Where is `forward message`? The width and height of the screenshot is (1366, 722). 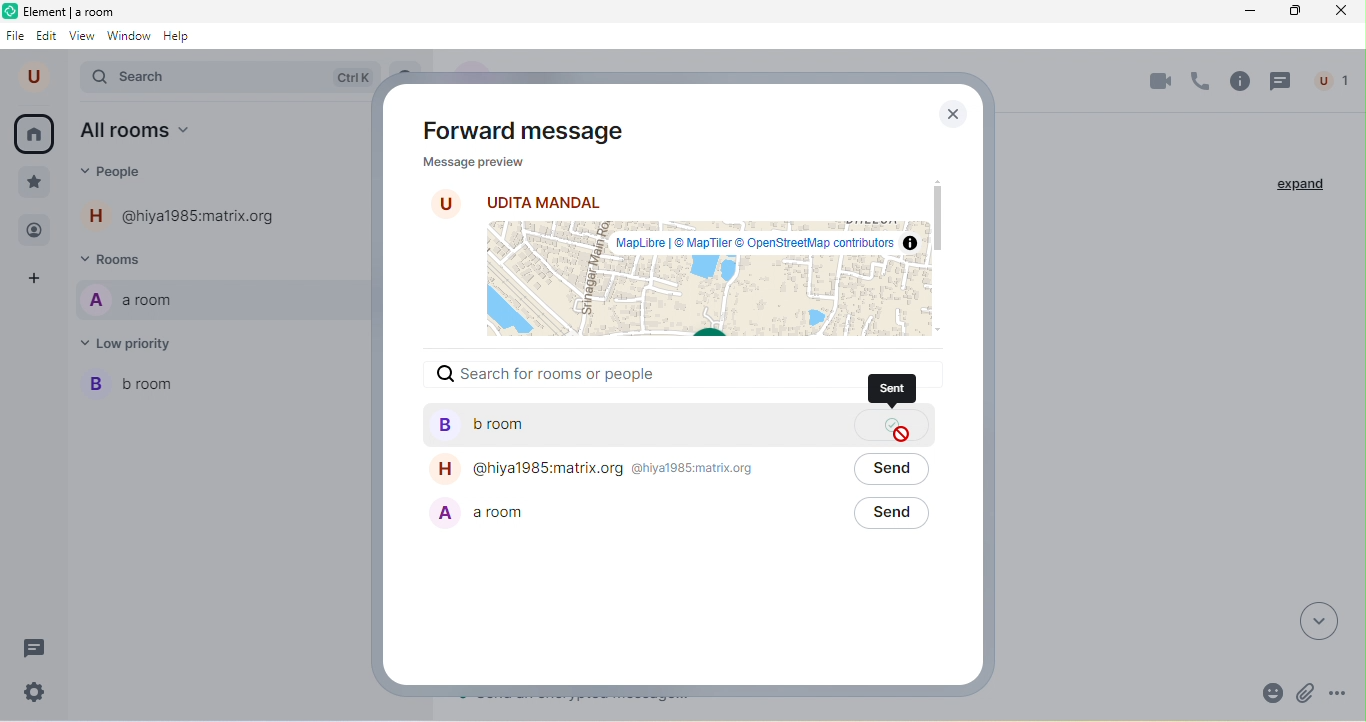
forward message is located at coordinates (527, 132).